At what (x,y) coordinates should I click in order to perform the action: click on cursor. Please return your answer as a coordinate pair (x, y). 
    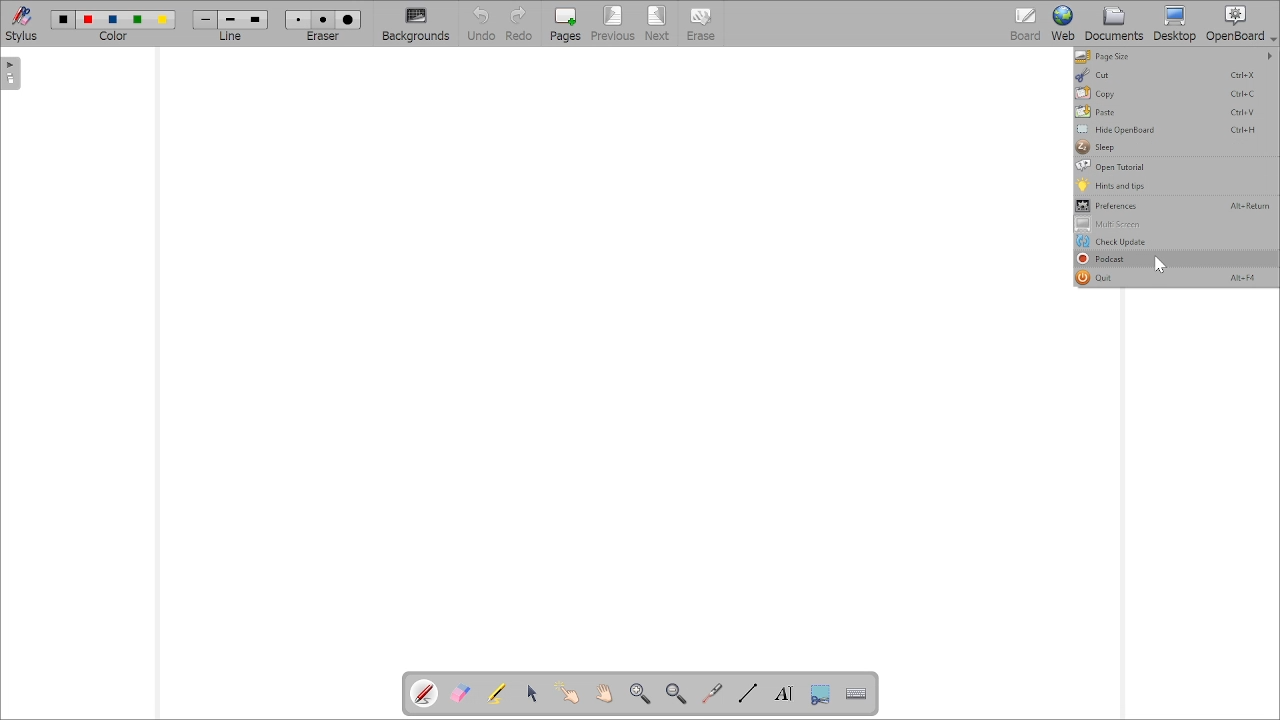
    Looking at the image, I should click on (1159, 264).